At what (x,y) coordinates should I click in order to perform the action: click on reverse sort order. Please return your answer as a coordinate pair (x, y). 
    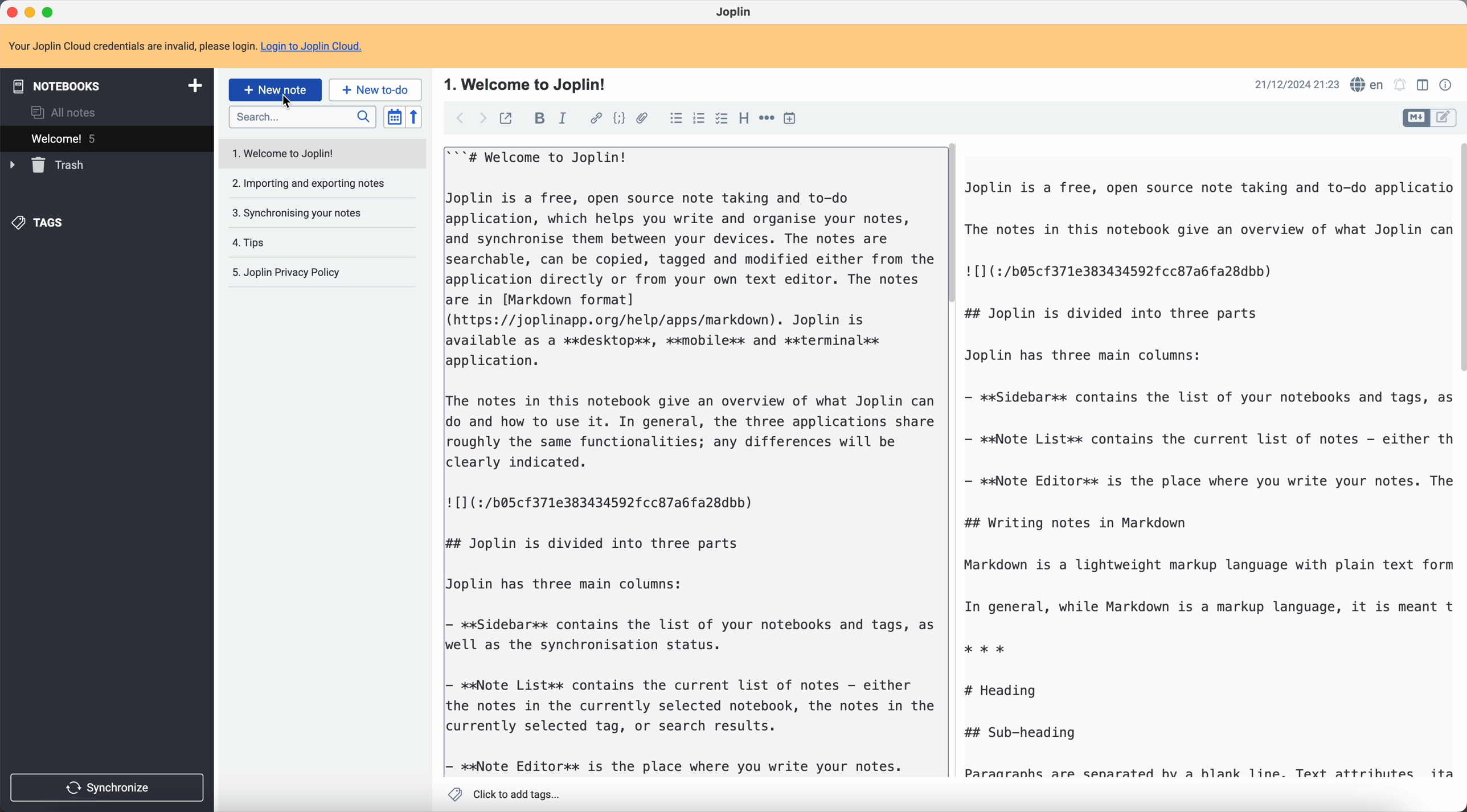
    Looking at the image, I should click on (413, 117).